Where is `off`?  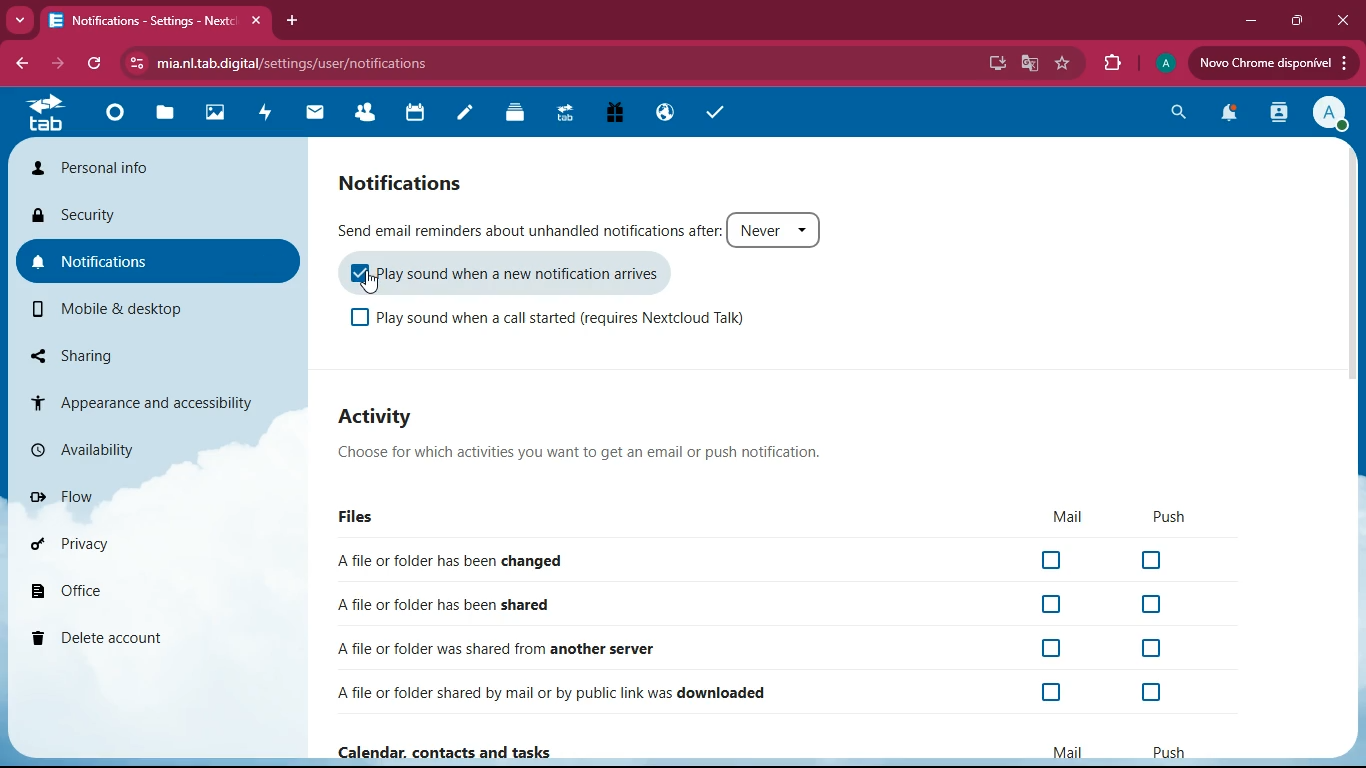 off is located at coordinates (1152, 561).